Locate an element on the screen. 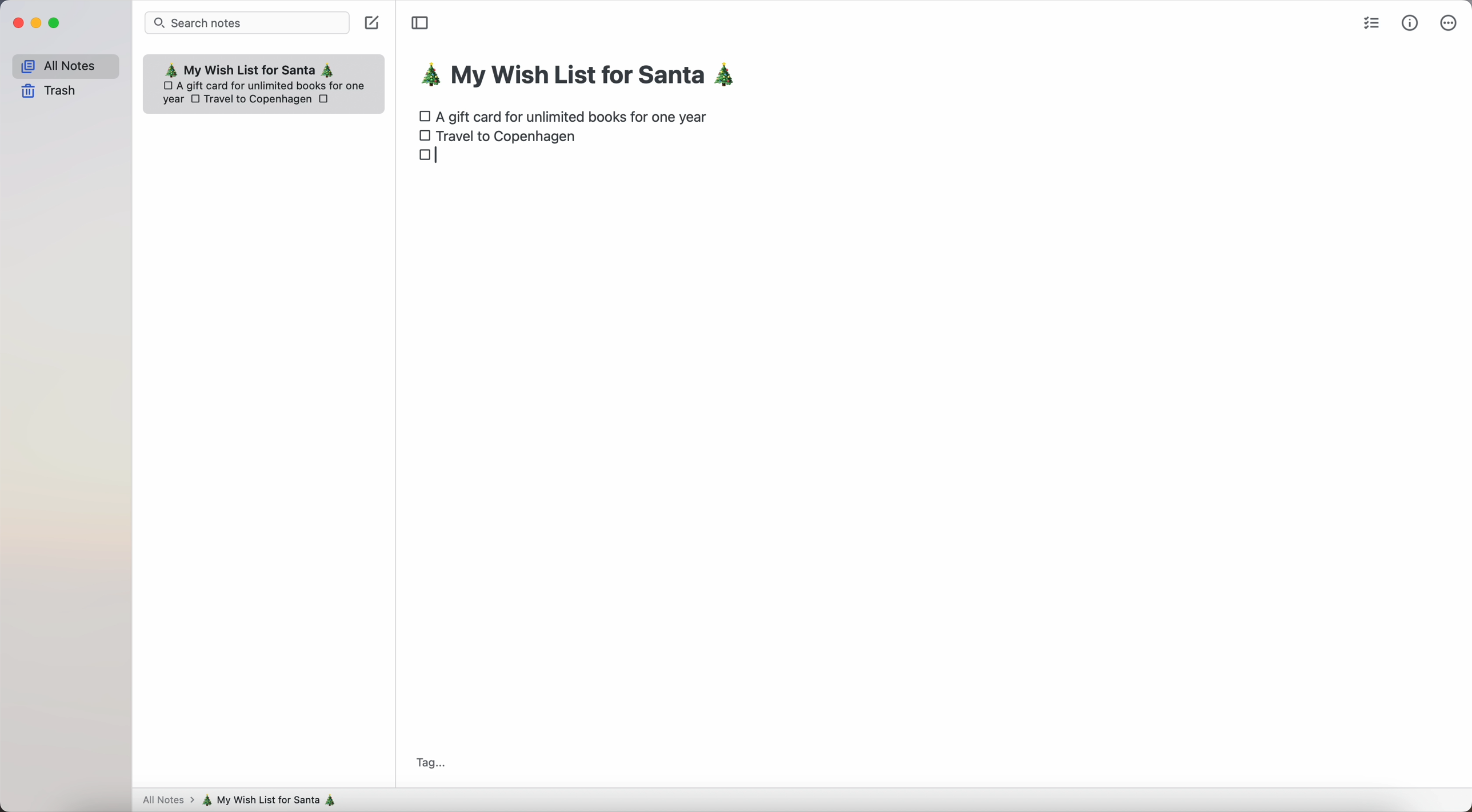 The image size is (1472, 812). maximize is located at coordinates (56, 23).